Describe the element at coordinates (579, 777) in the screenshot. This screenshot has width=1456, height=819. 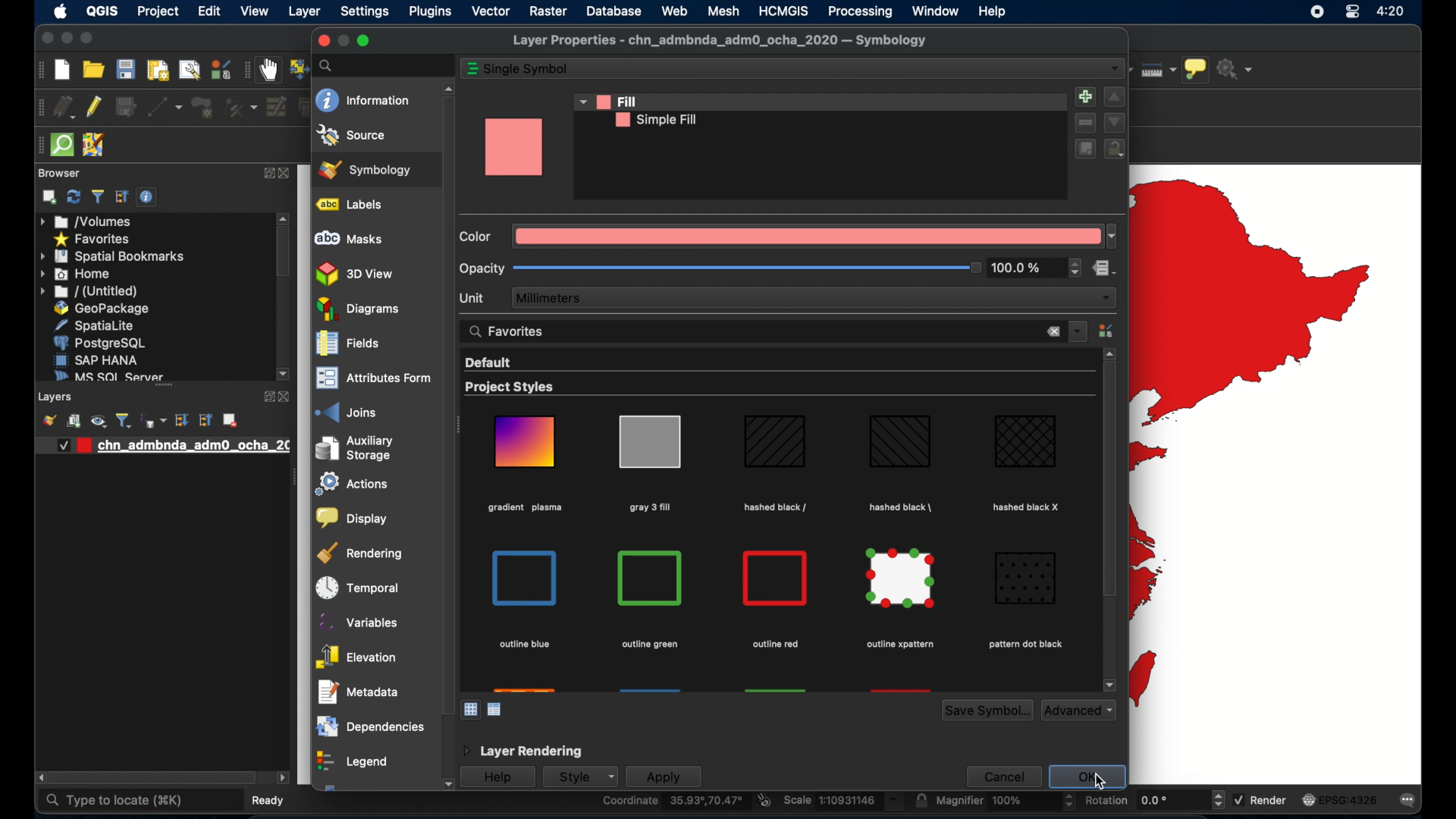
I see `style` at that location.